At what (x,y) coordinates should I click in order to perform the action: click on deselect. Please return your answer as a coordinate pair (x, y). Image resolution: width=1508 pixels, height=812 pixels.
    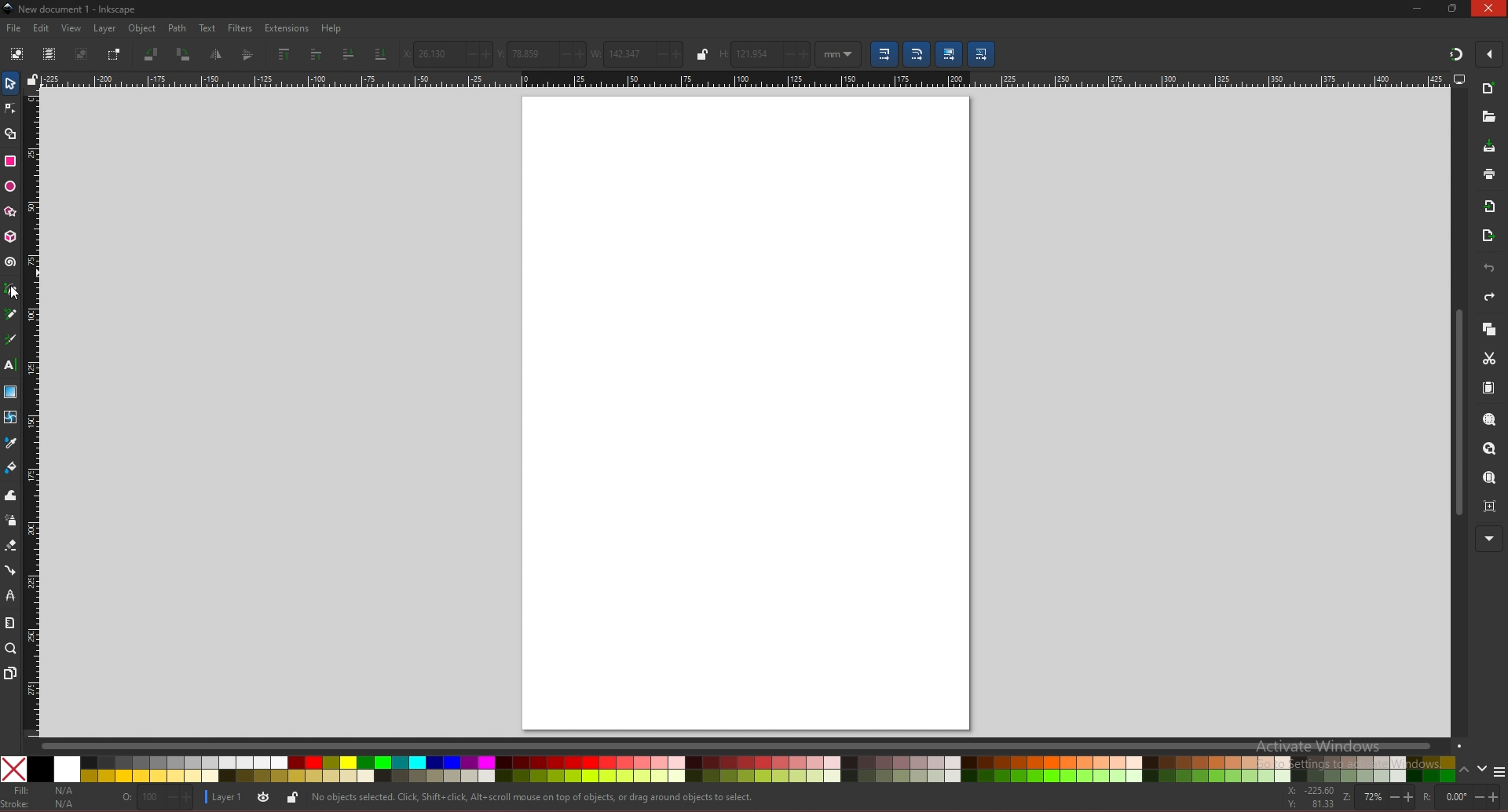
    Looking at the image, I should click on (81, 53).